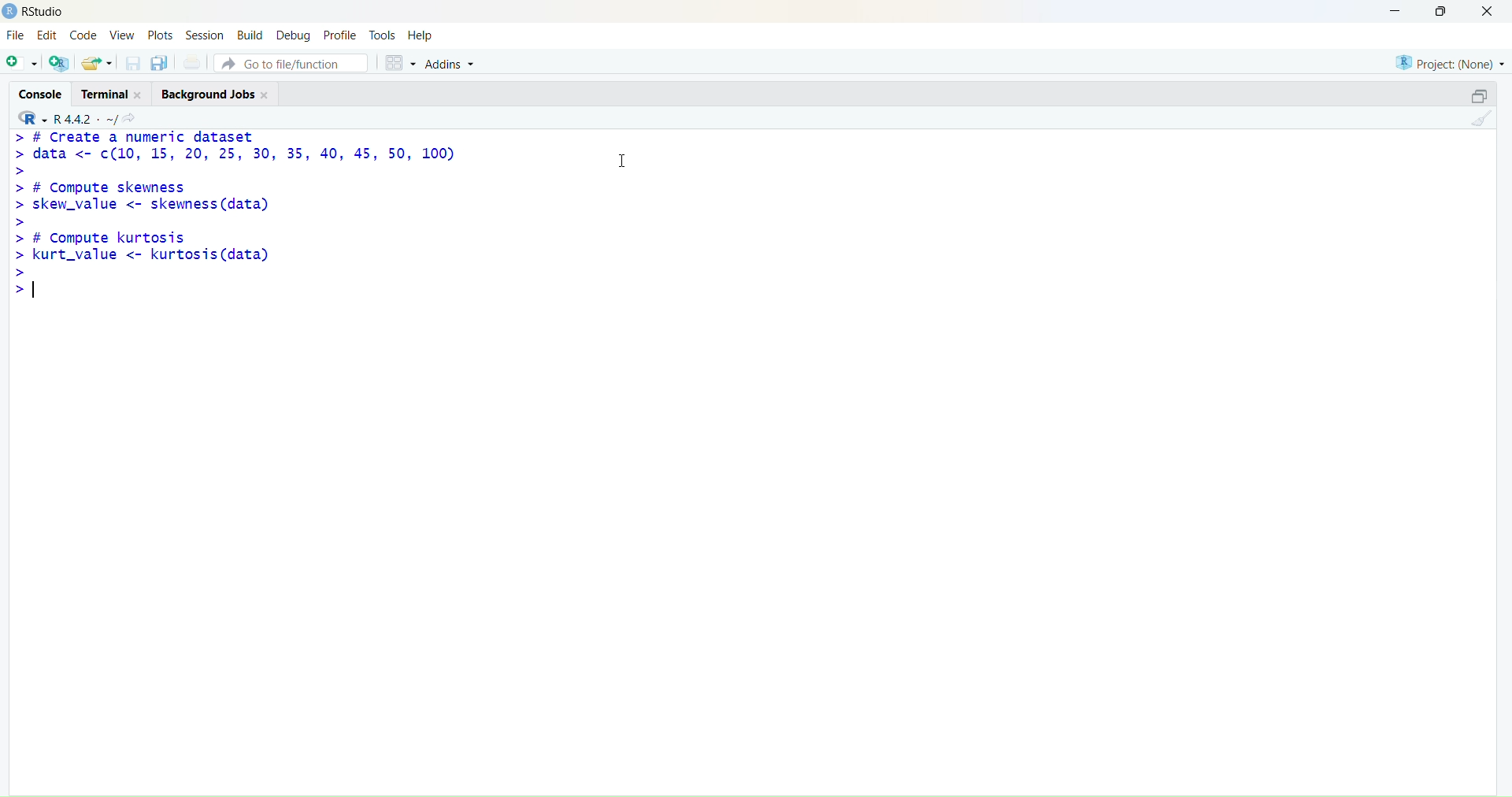  Describe the element at coordinates (218, 94) in the screenshot. I see `Background Jobs` at that location.